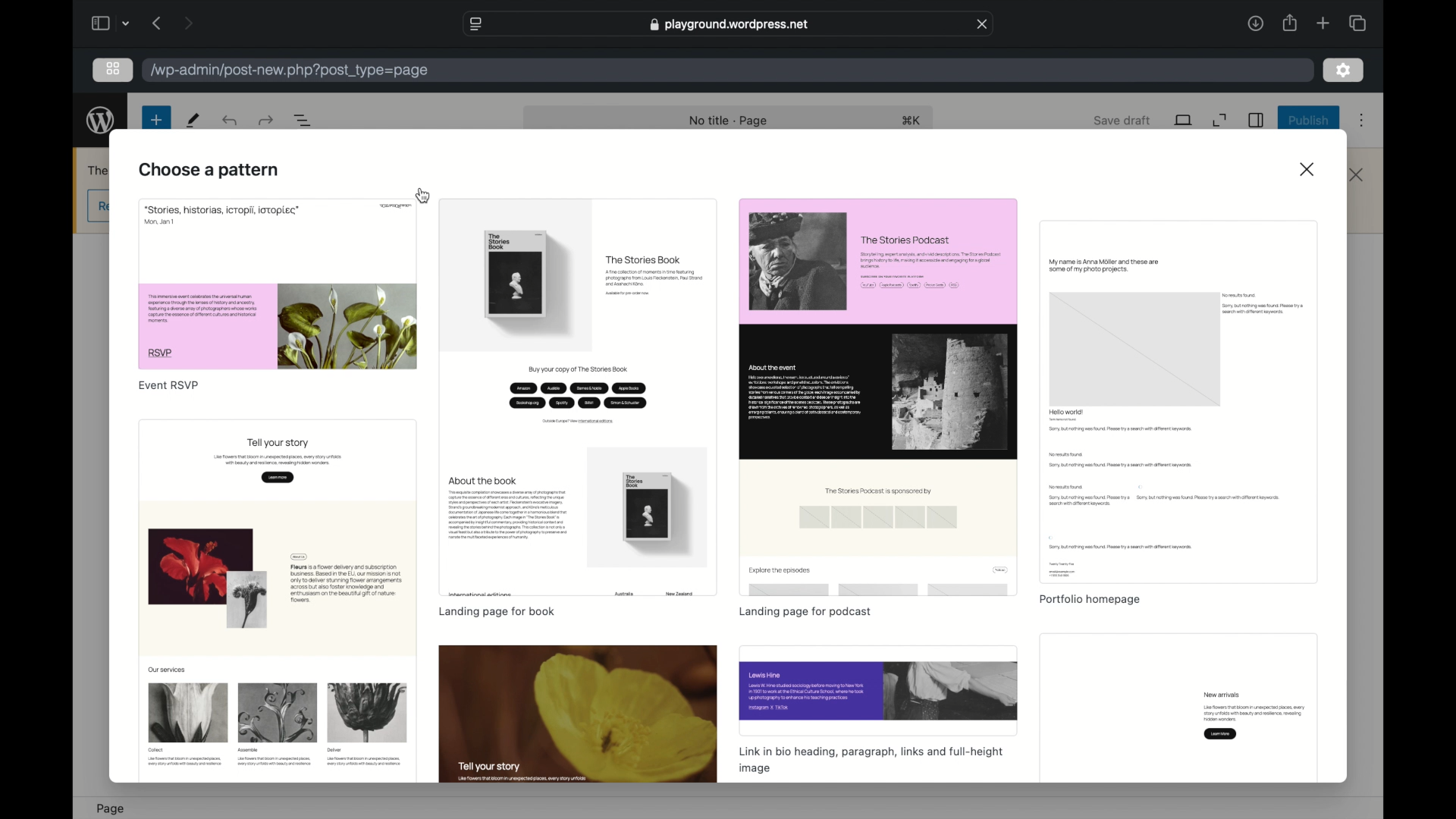 The width and height of the screenshot is (1456, 819). What do you see at coordinates (982, 24) in the screenshot?
I see `close` at bounding box center [982, 24].